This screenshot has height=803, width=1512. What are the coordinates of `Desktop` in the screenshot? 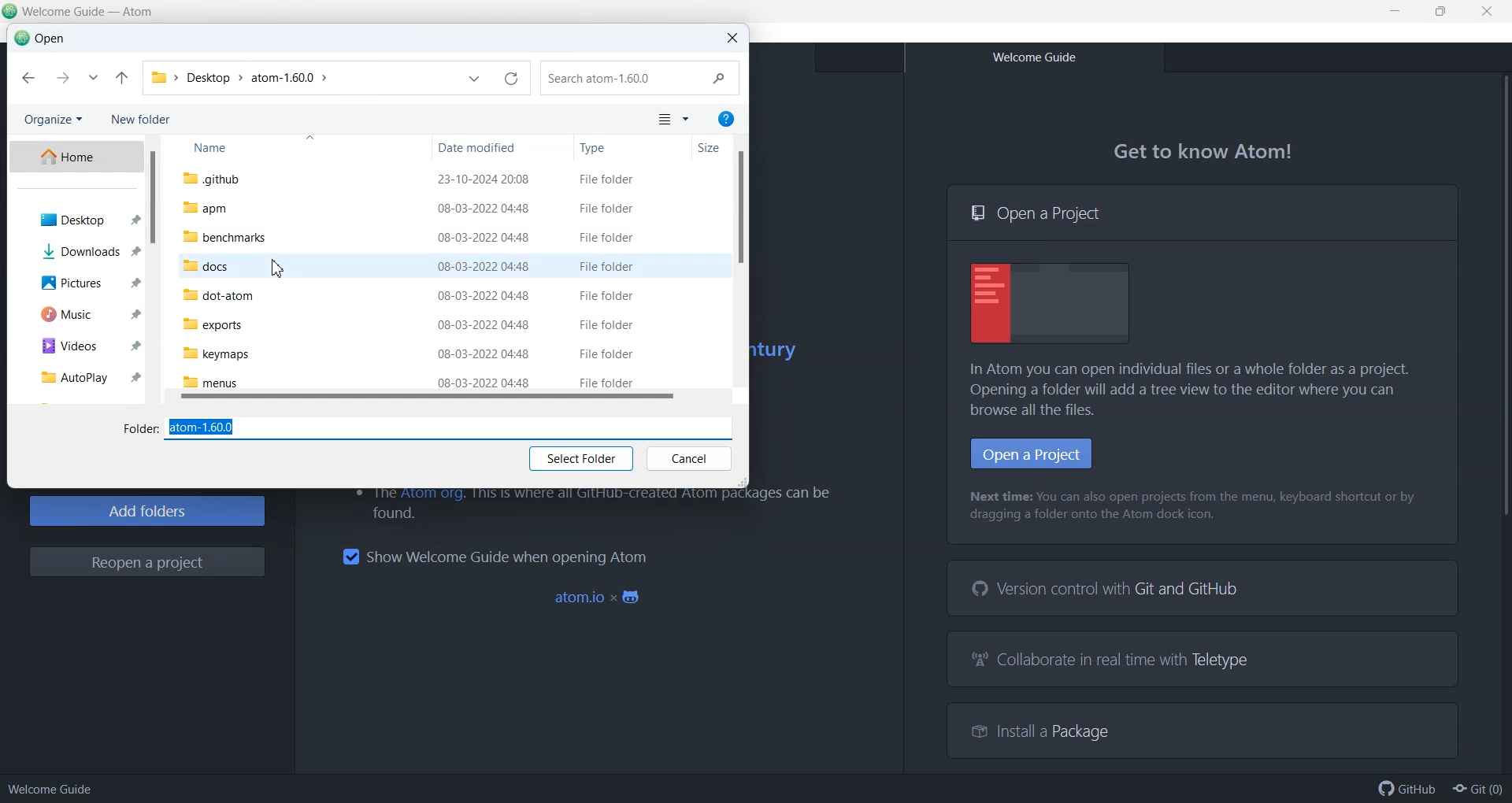 It's located at (207, 77).